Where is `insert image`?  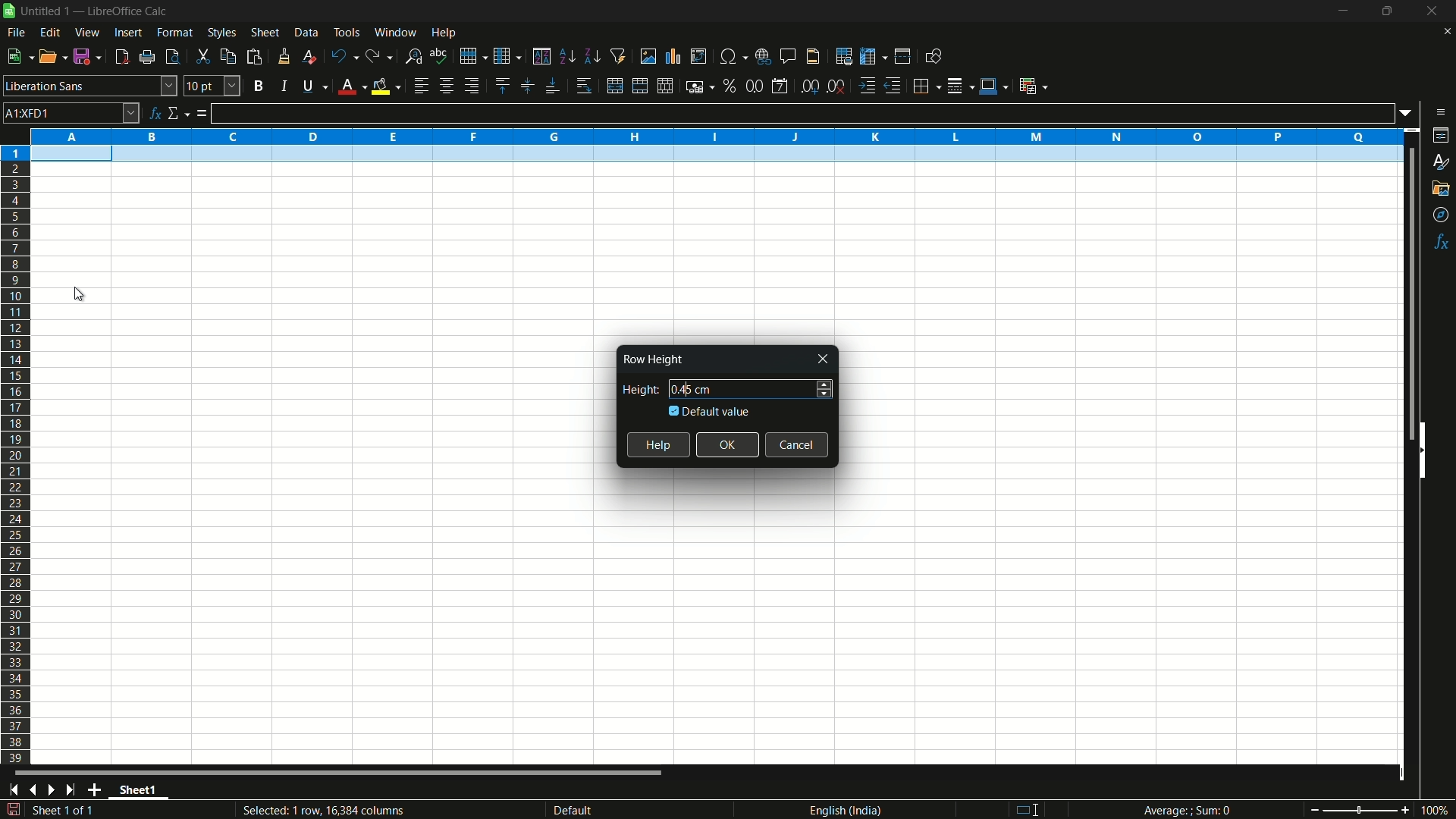 insert image is located at coordinates (648, 55).